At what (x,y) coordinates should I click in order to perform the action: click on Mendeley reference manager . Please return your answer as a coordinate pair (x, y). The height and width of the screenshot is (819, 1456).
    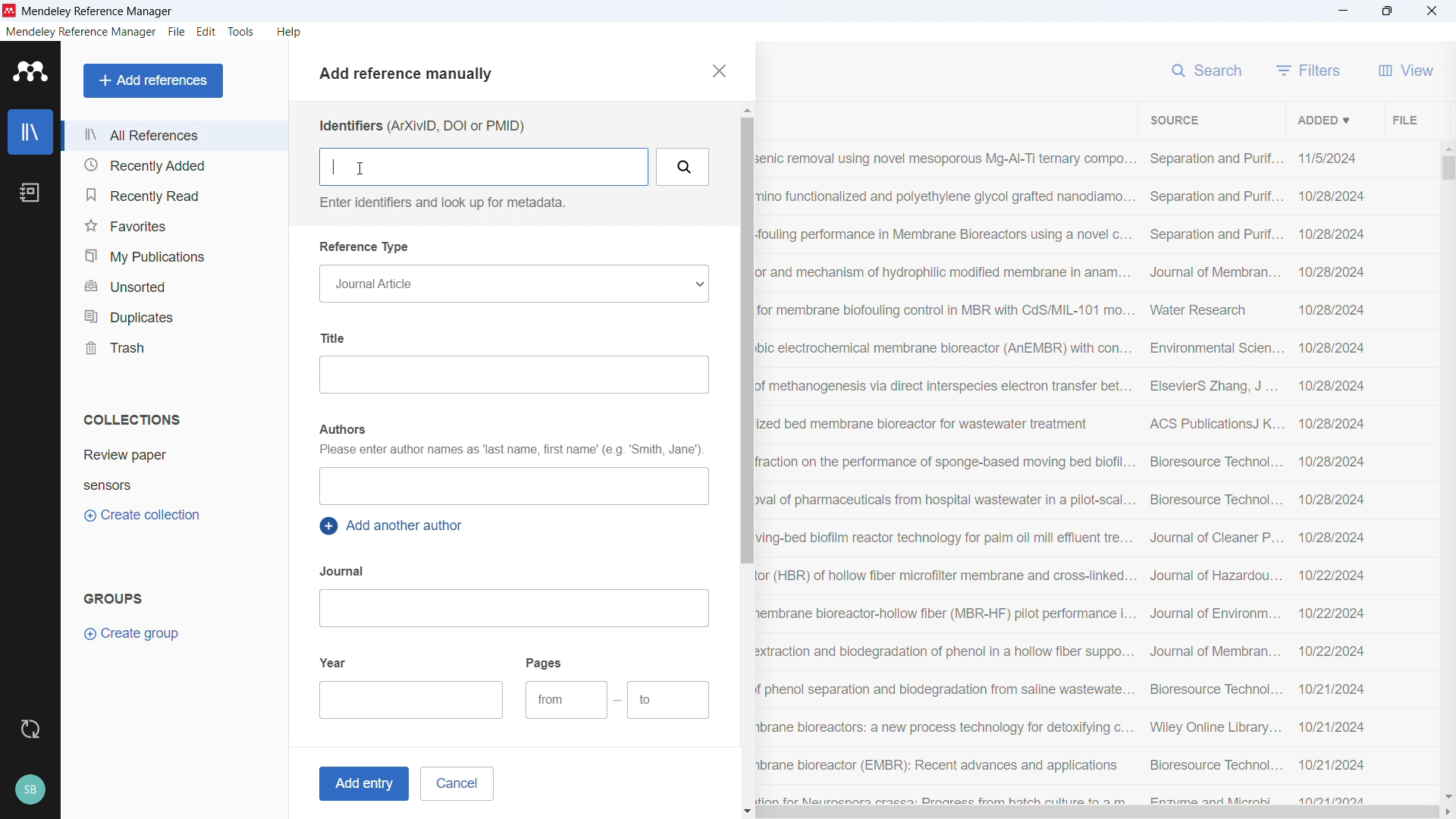
    Looking at the image, I should click on (81, 32).